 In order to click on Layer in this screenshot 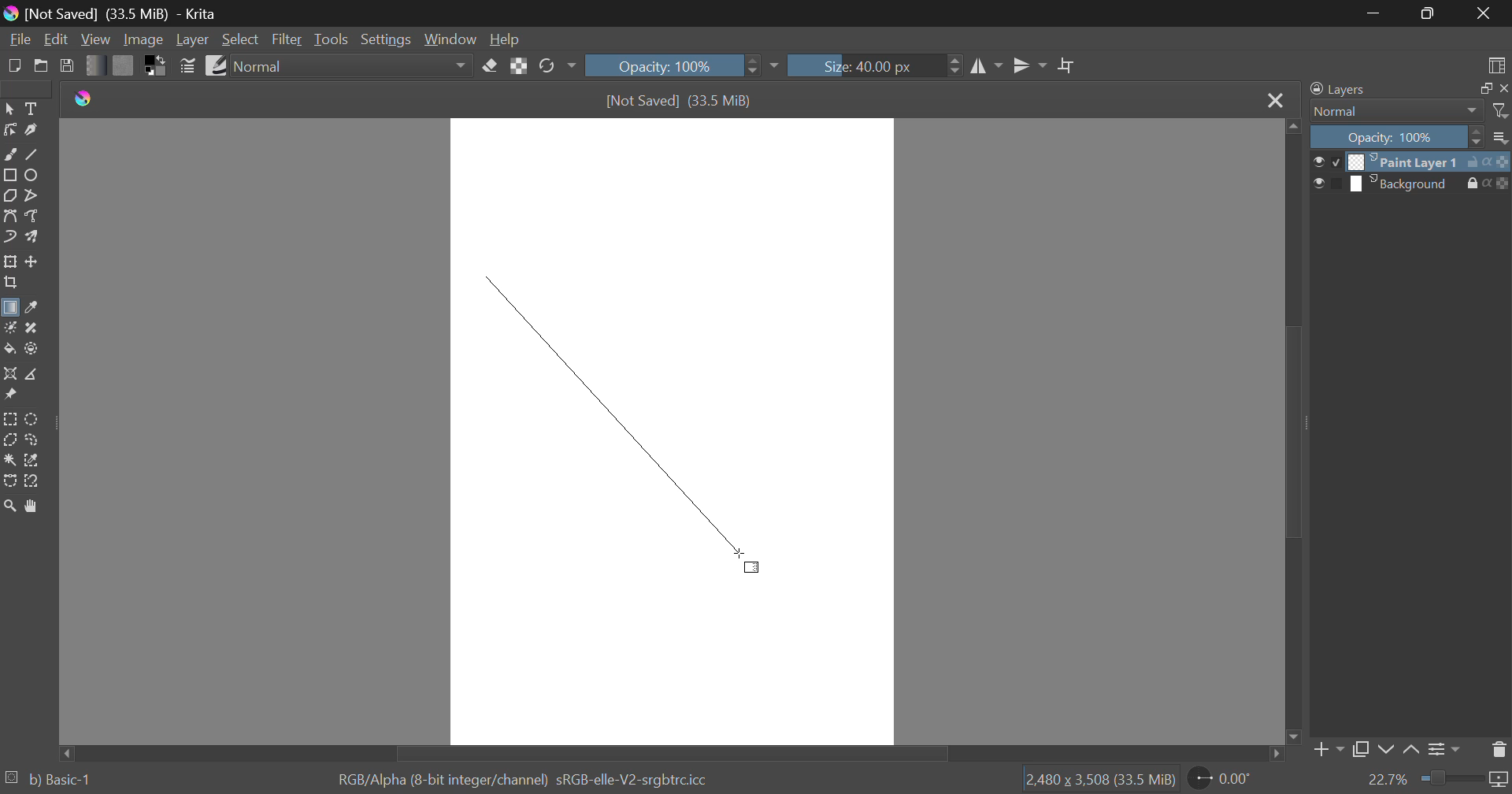, I will do `click(192, 39)`.